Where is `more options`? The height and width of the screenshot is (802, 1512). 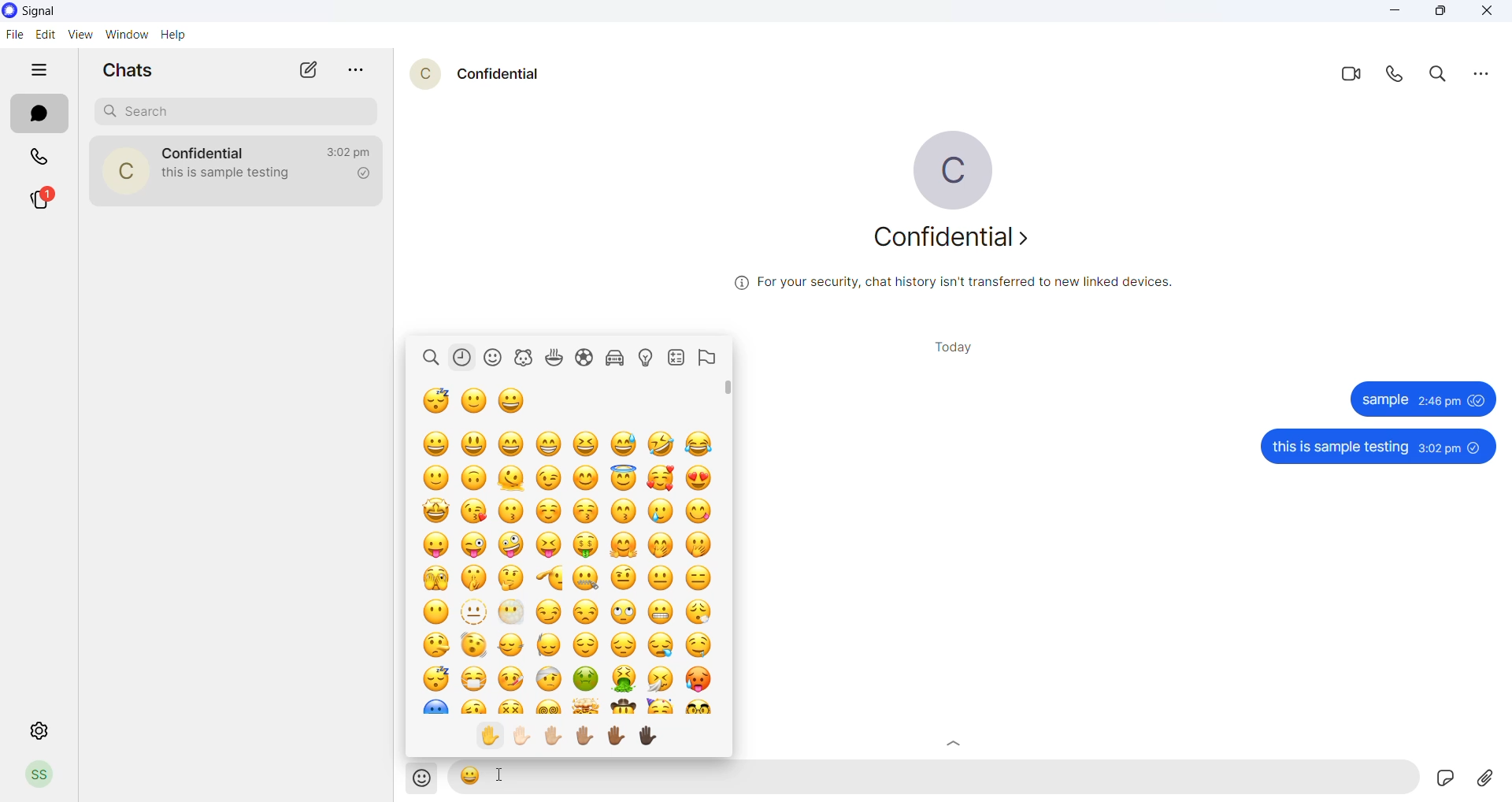
more options is located at coordinates (358, 70).